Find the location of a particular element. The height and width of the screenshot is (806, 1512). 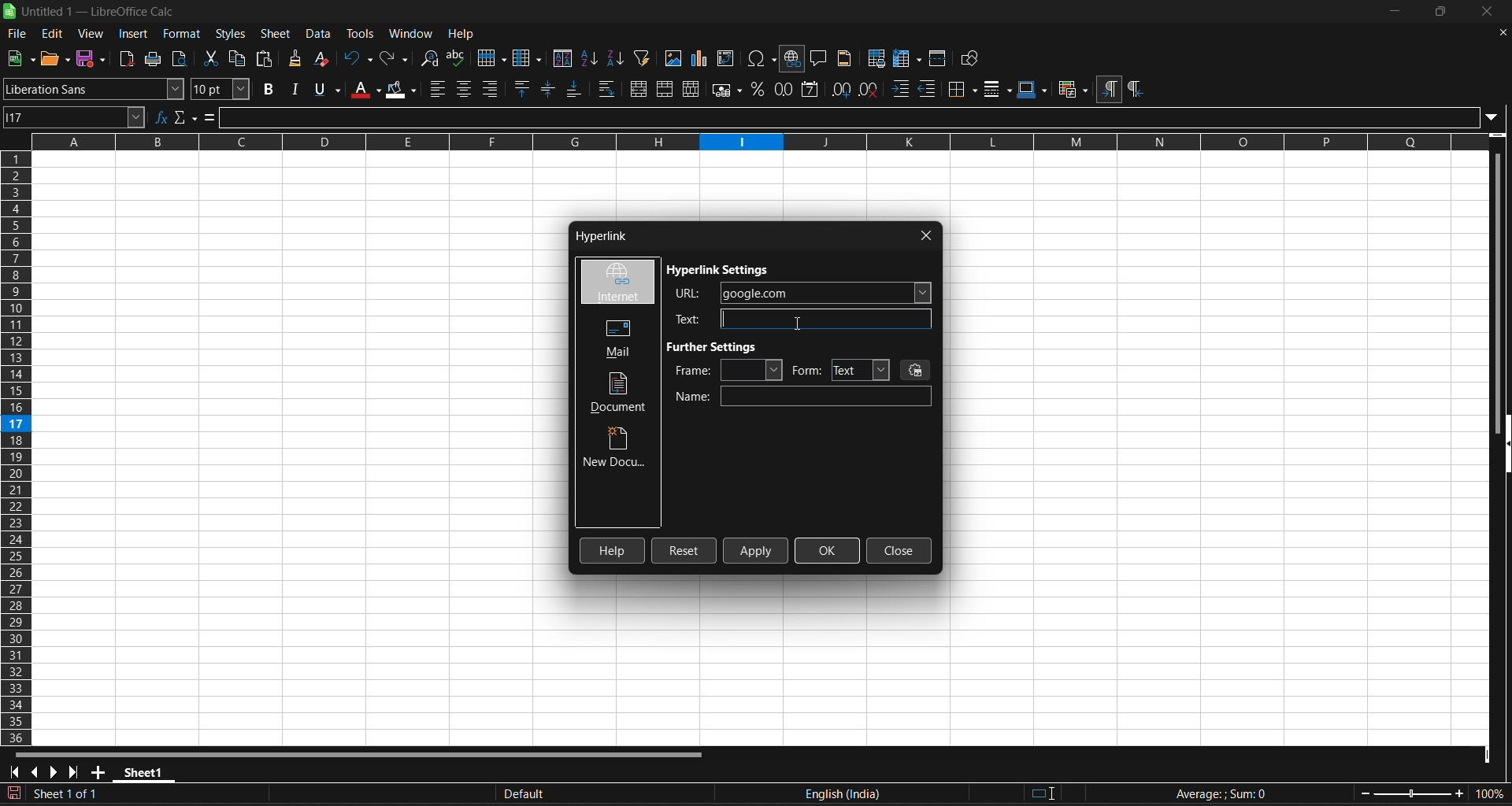

copy  is located at coordinates (239, 57).